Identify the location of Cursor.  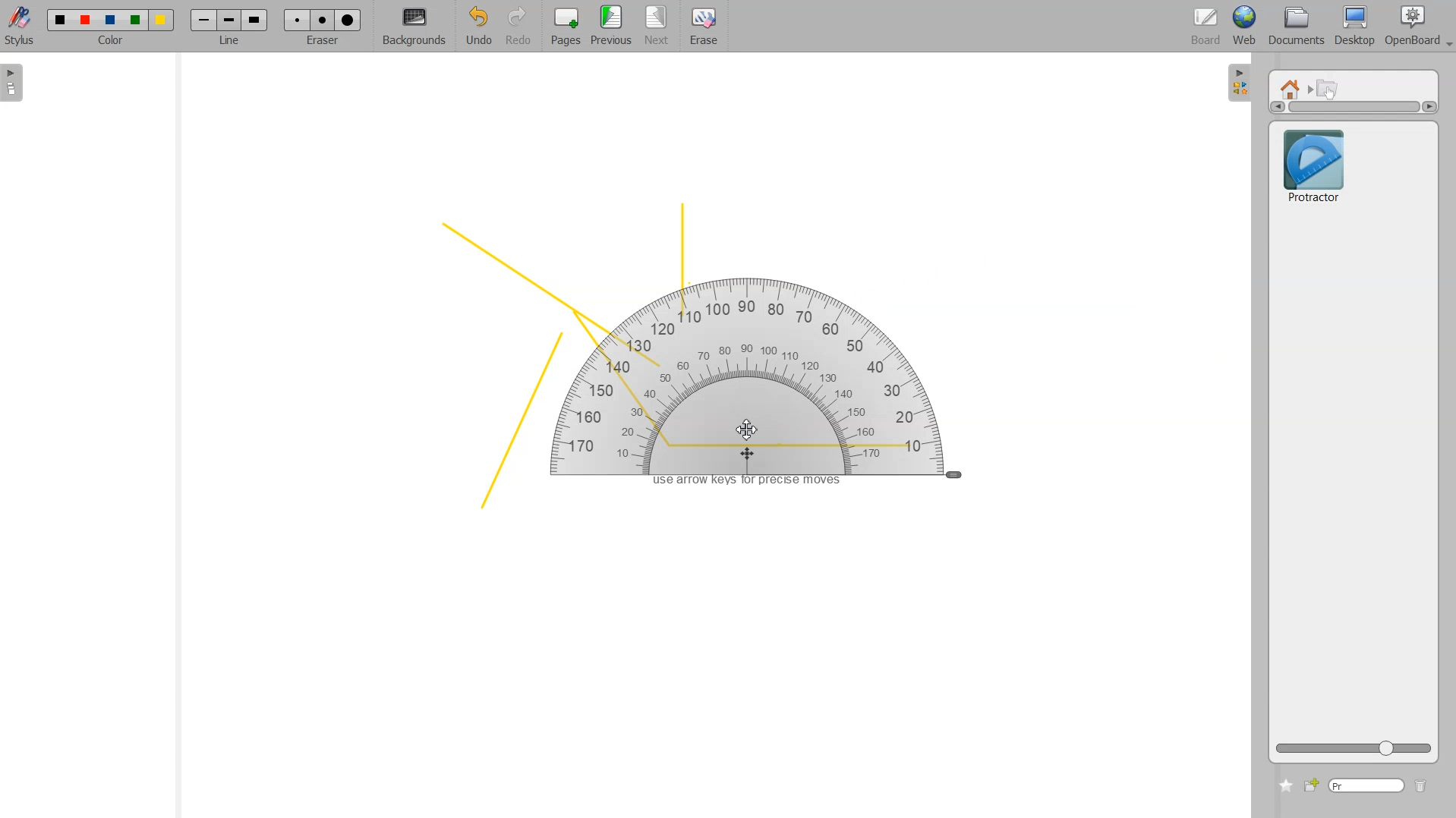
(746, 429).